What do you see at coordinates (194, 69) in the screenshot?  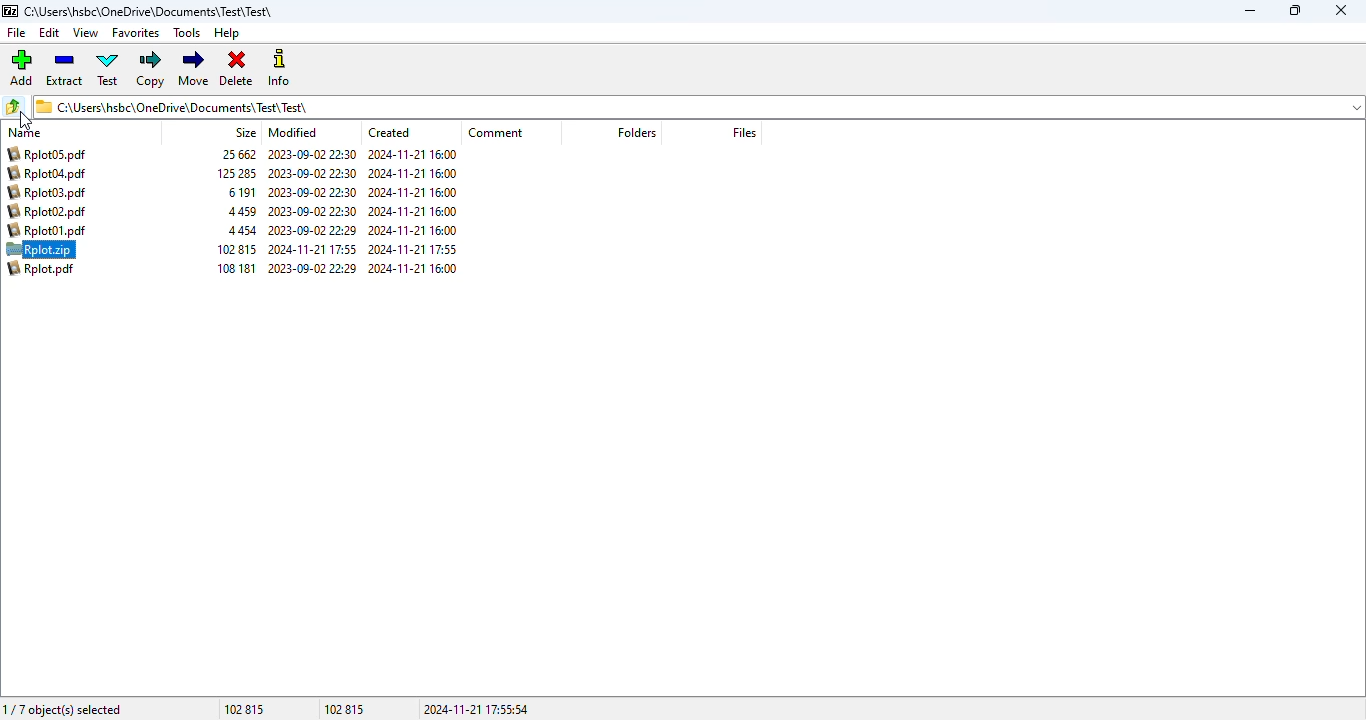 I see `move` at bounding box center [194, 69].